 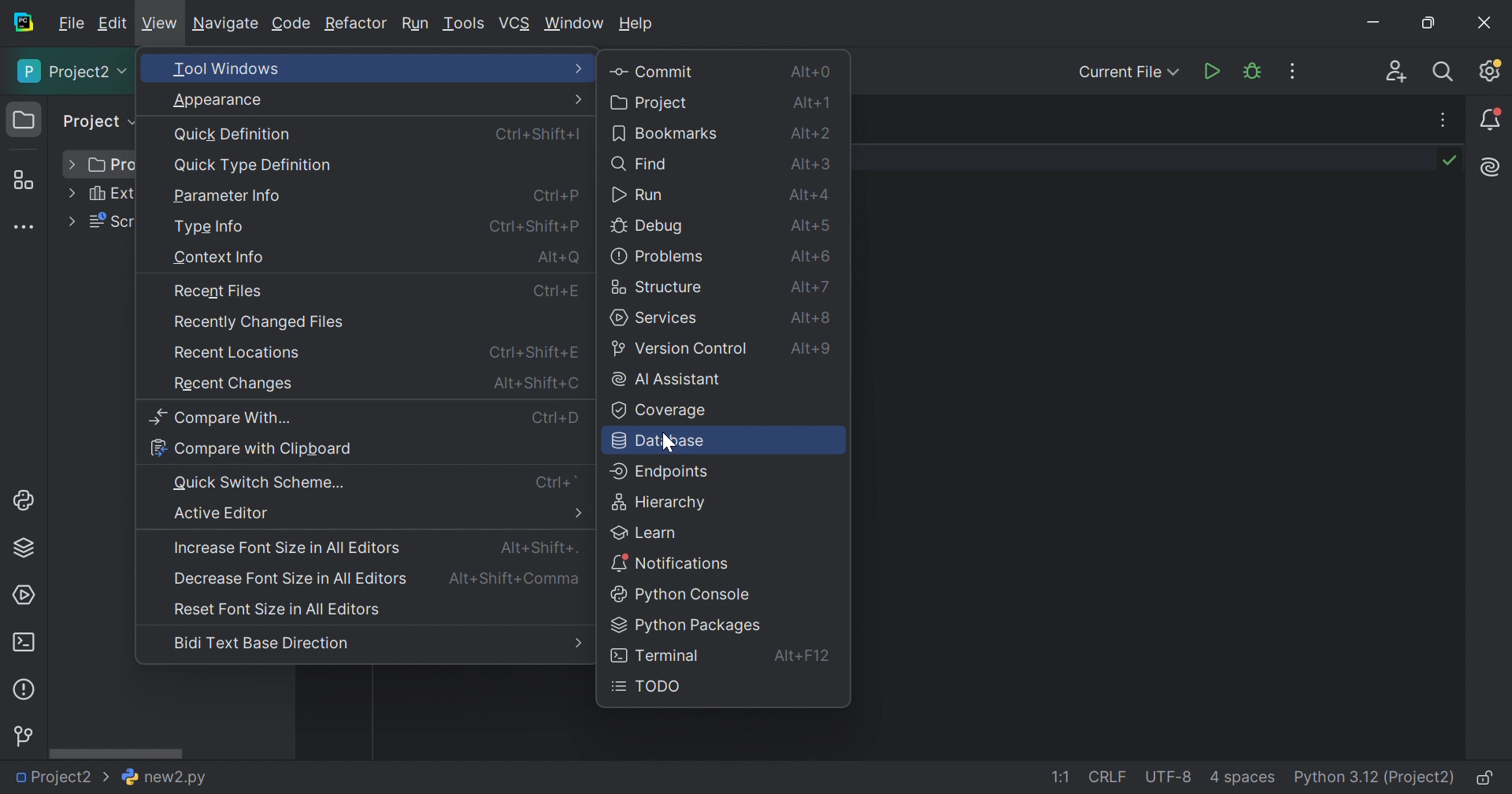 I want to click on Project, so click(x=99, y=121).